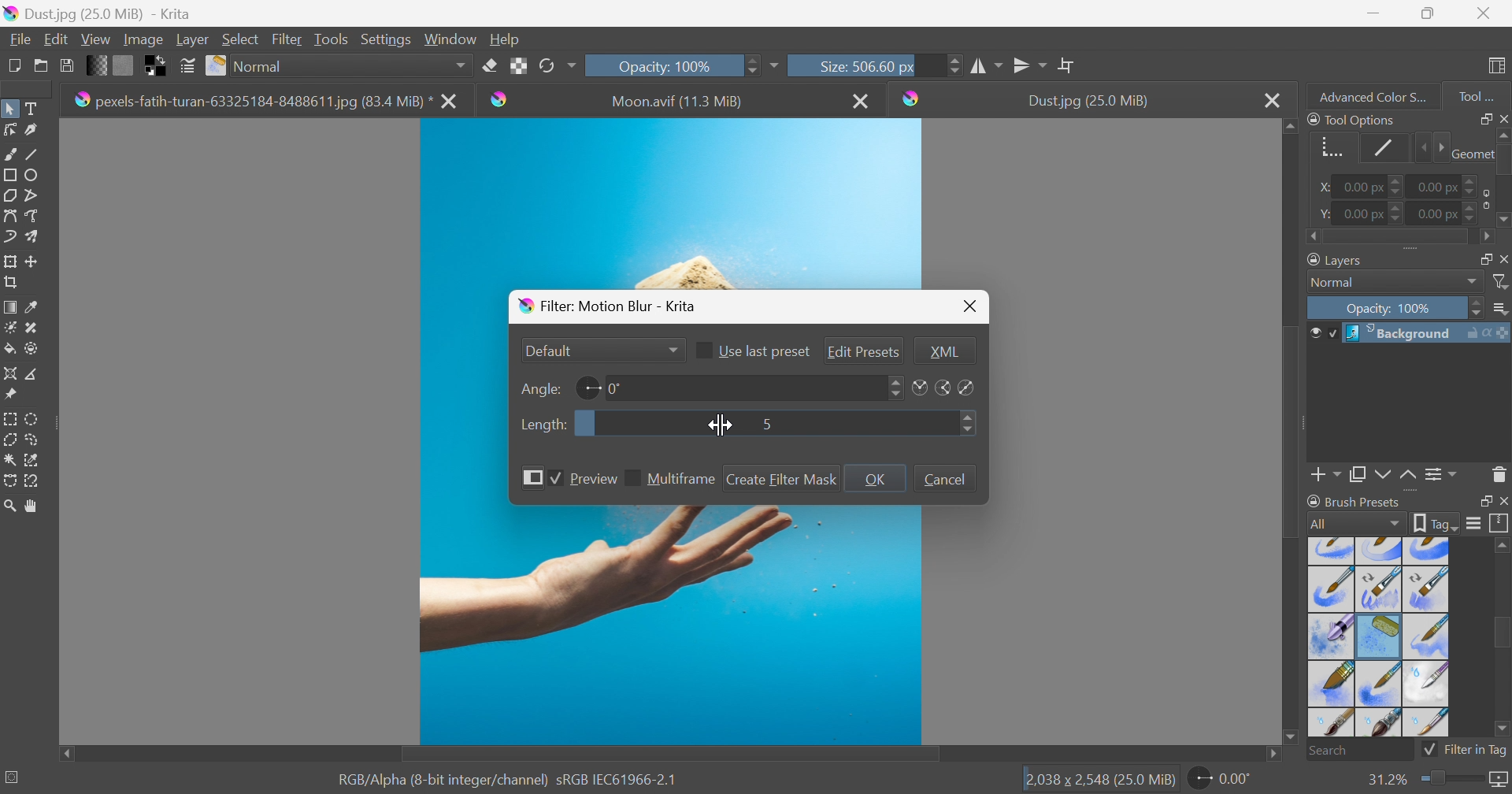 This screenshot has height=794, width=1512. I want to click on Fill a contiguous area of color with a color or a fill selection, so click(10, 350).